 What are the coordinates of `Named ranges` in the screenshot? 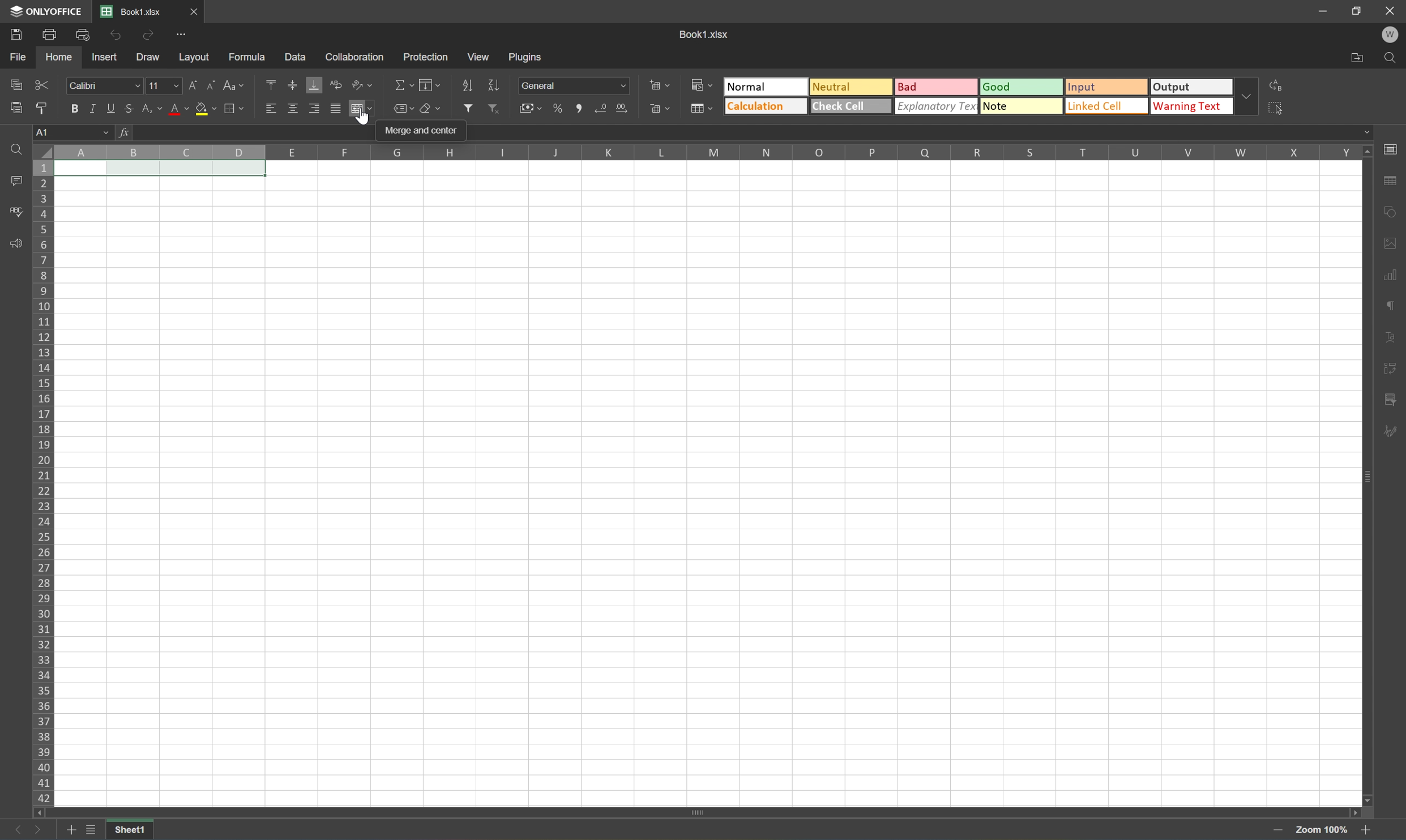 It's located at (402, 108).